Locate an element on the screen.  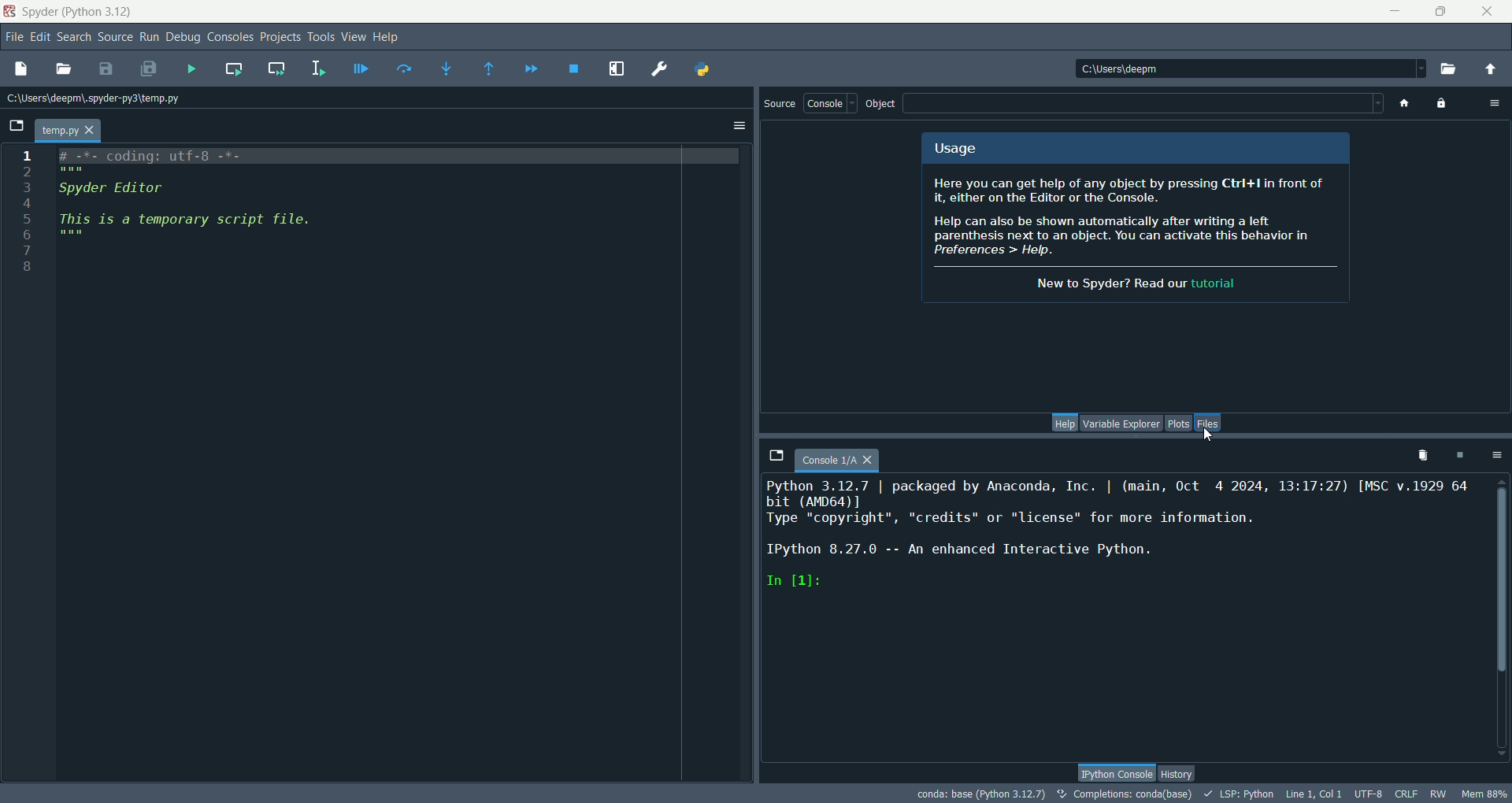
vertical scroll bar is located at coordinates (1503, 619).